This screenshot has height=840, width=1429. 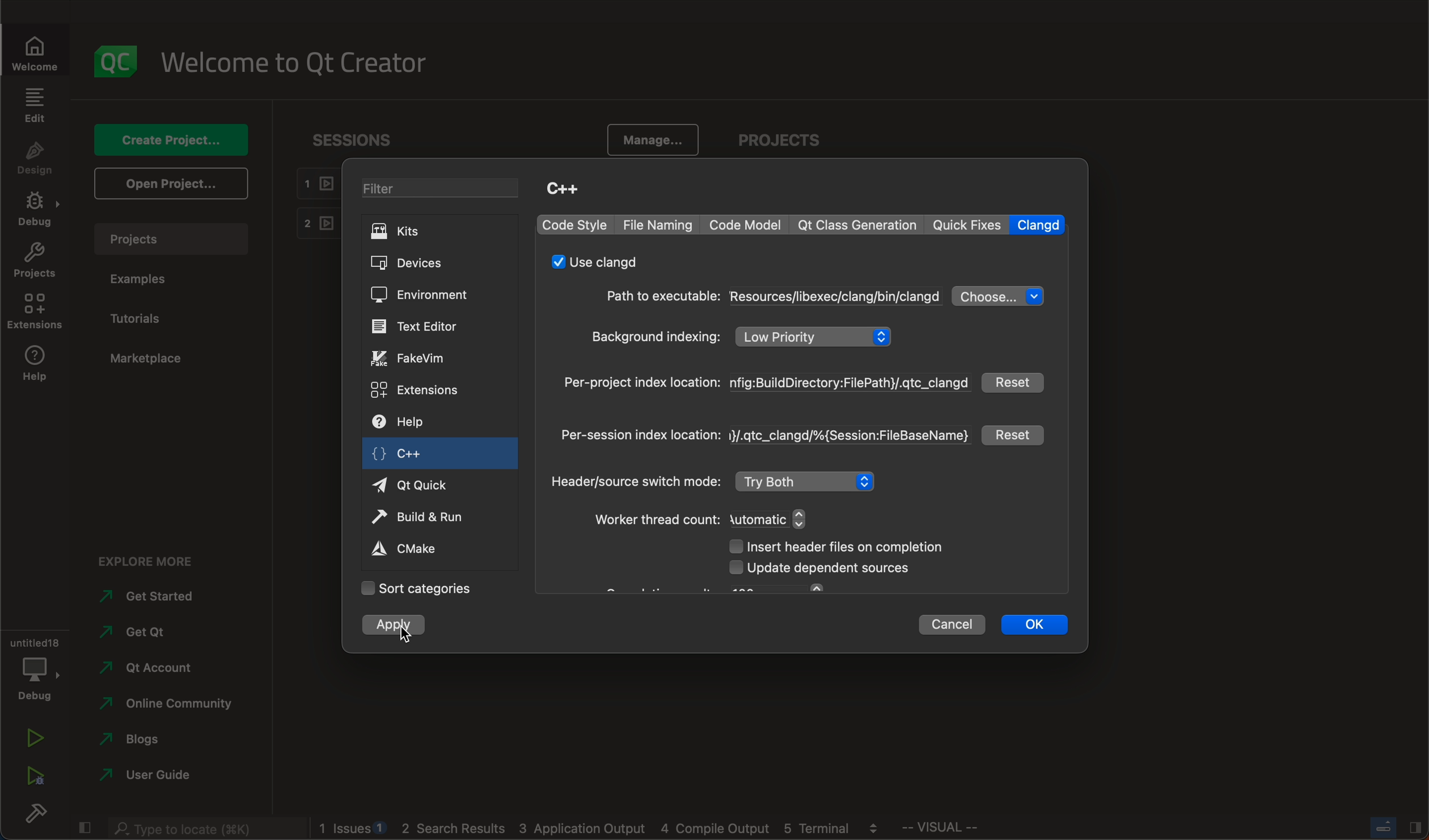 What do you see at coordinates (421, 549) in the screenshot?
I see `cmake` at bounding box center [421, 549].